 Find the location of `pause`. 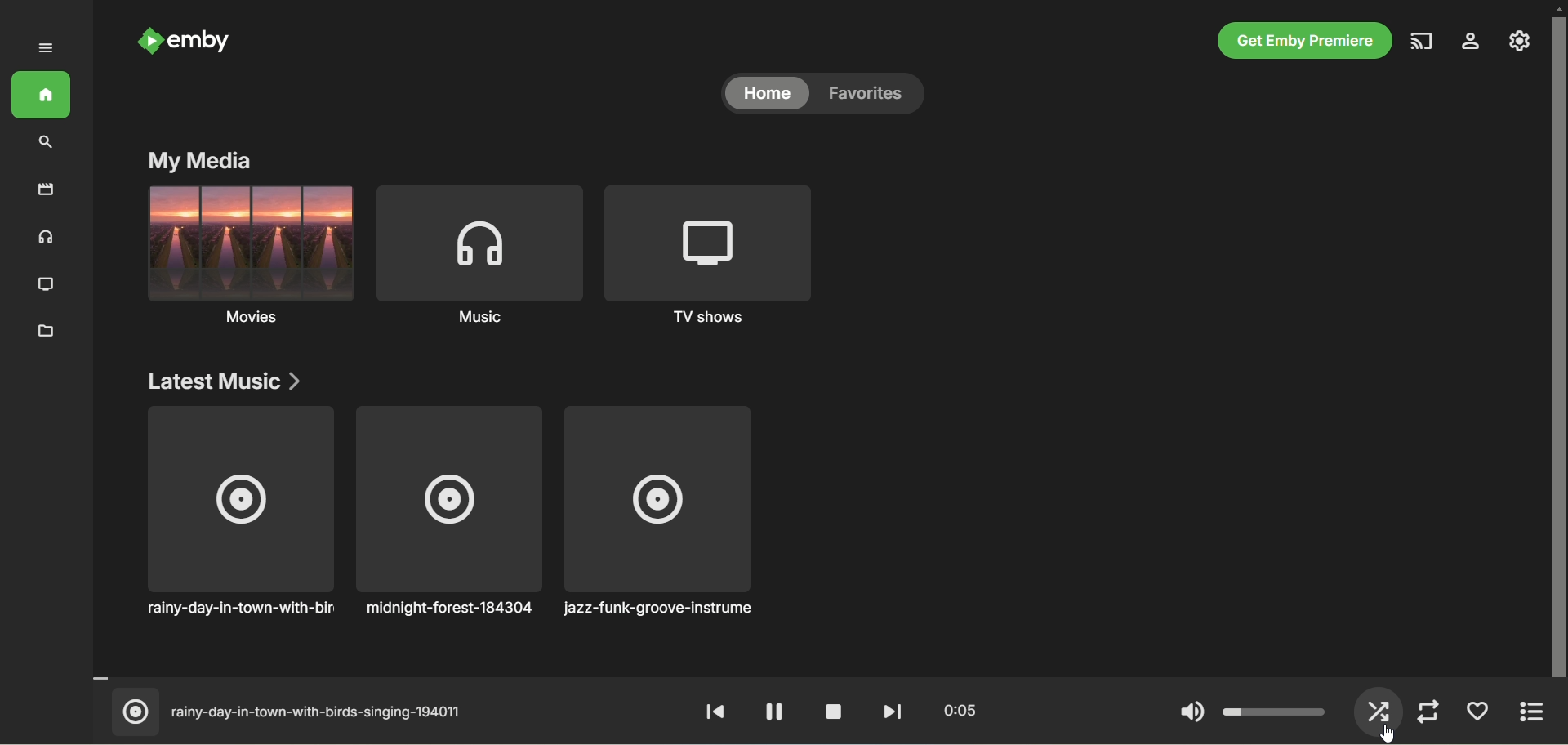

pause is located at coordinates (773, 713).